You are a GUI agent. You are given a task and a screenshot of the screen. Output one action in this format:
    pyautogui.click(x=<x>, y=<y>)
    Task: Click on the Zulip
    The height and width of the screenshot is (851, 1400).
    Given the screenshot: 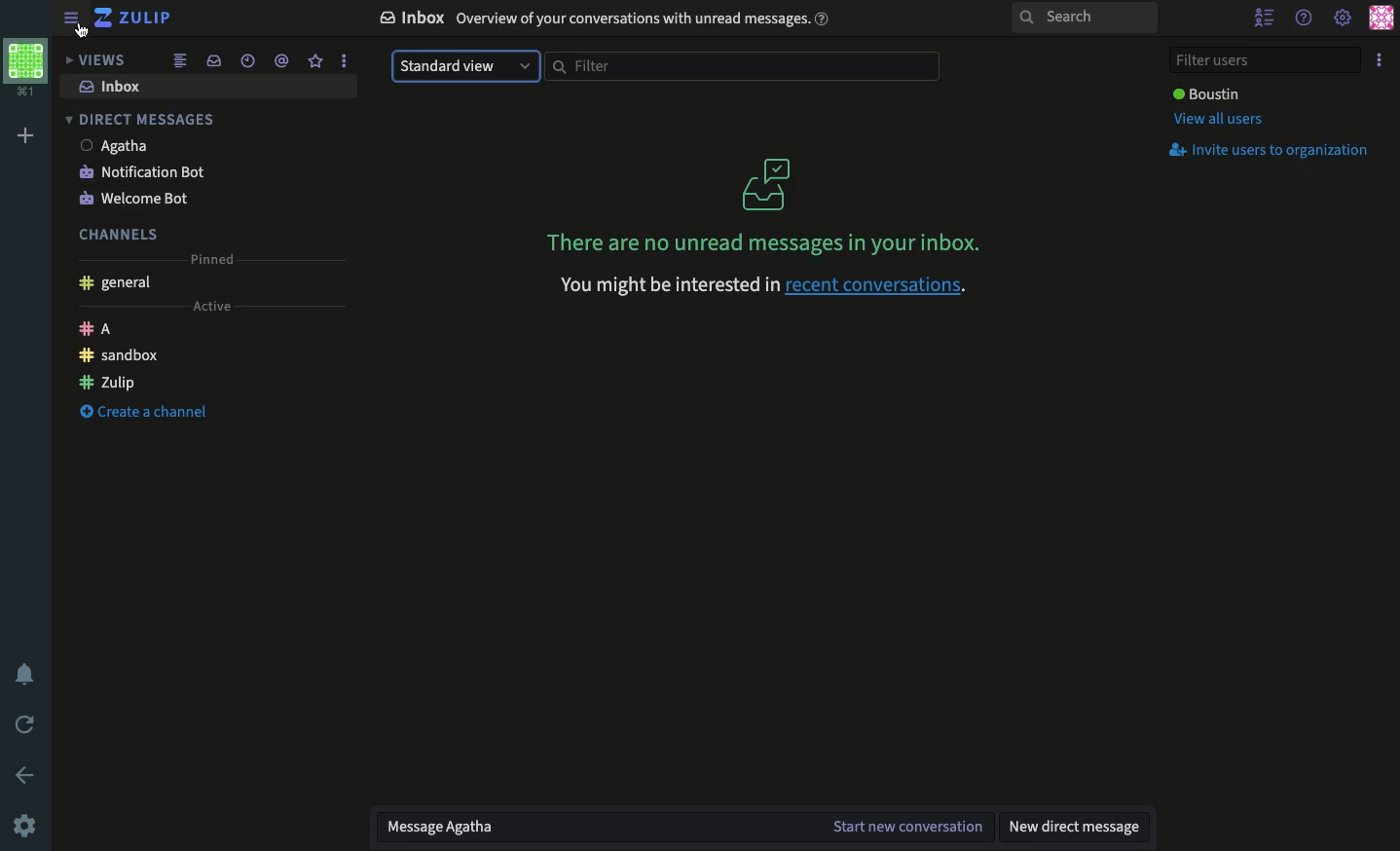 What is the action you would take?
    pyautogui.click(x=107, y=382)
    